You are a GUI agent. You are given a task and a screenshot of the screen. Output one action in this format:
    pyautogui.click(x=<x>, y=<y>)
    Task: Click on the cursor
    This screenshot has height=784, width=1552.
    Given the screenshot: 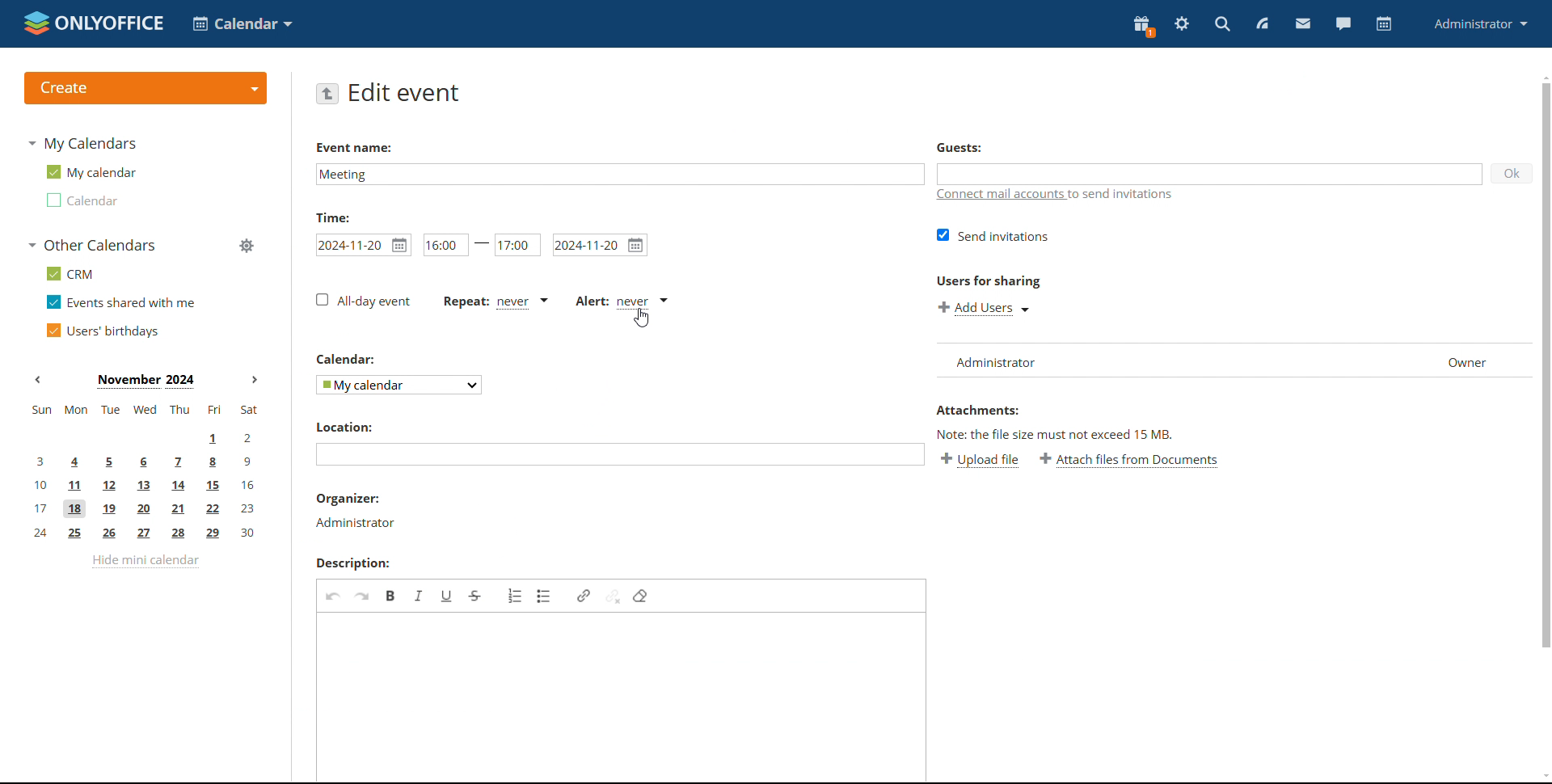 What is the action you would take?
    pyautogui.click(x=642, y=318)
    